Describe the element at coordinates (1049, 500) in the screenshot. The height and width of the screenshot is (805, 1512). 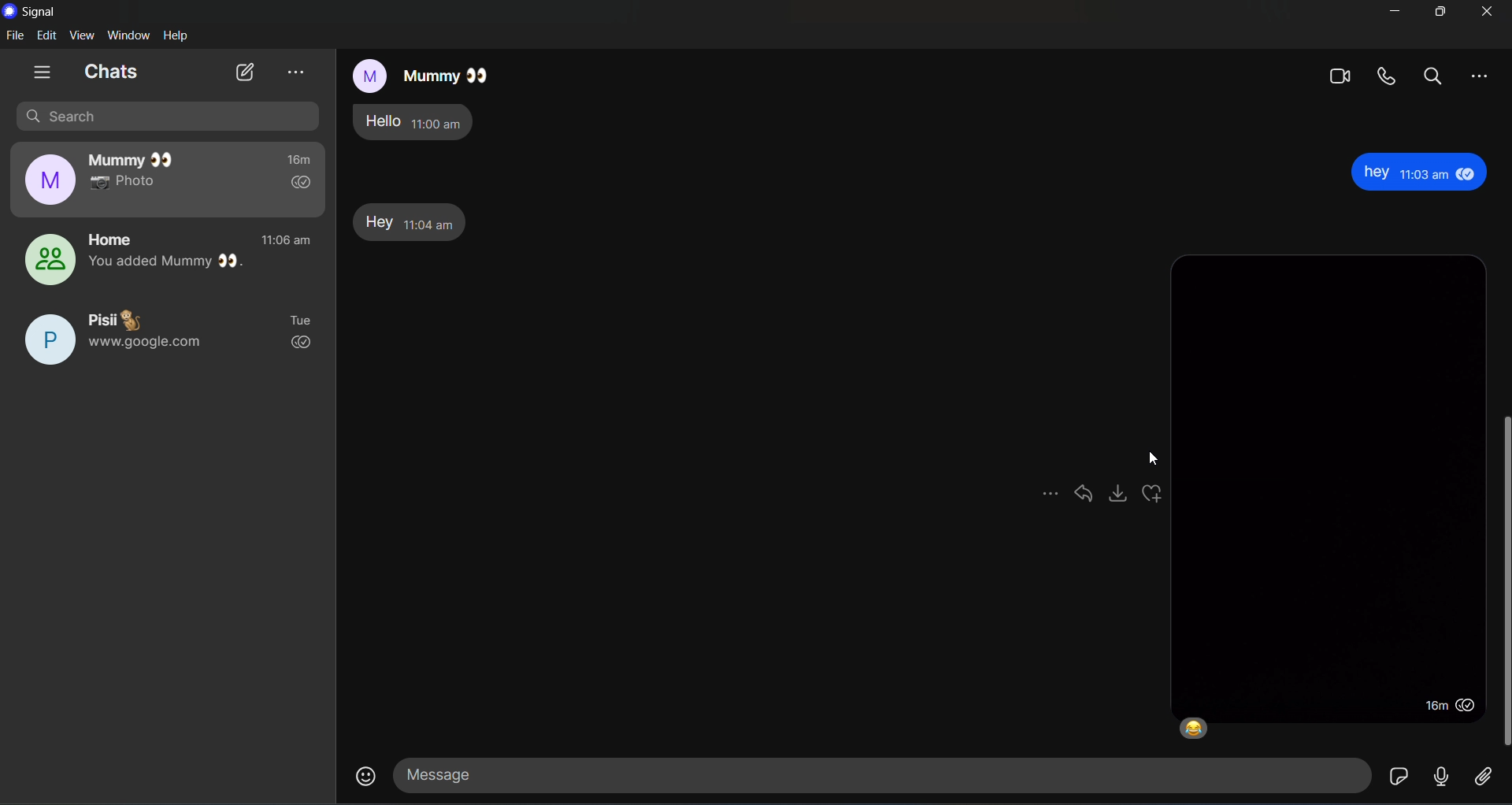
I see `more` at that location.